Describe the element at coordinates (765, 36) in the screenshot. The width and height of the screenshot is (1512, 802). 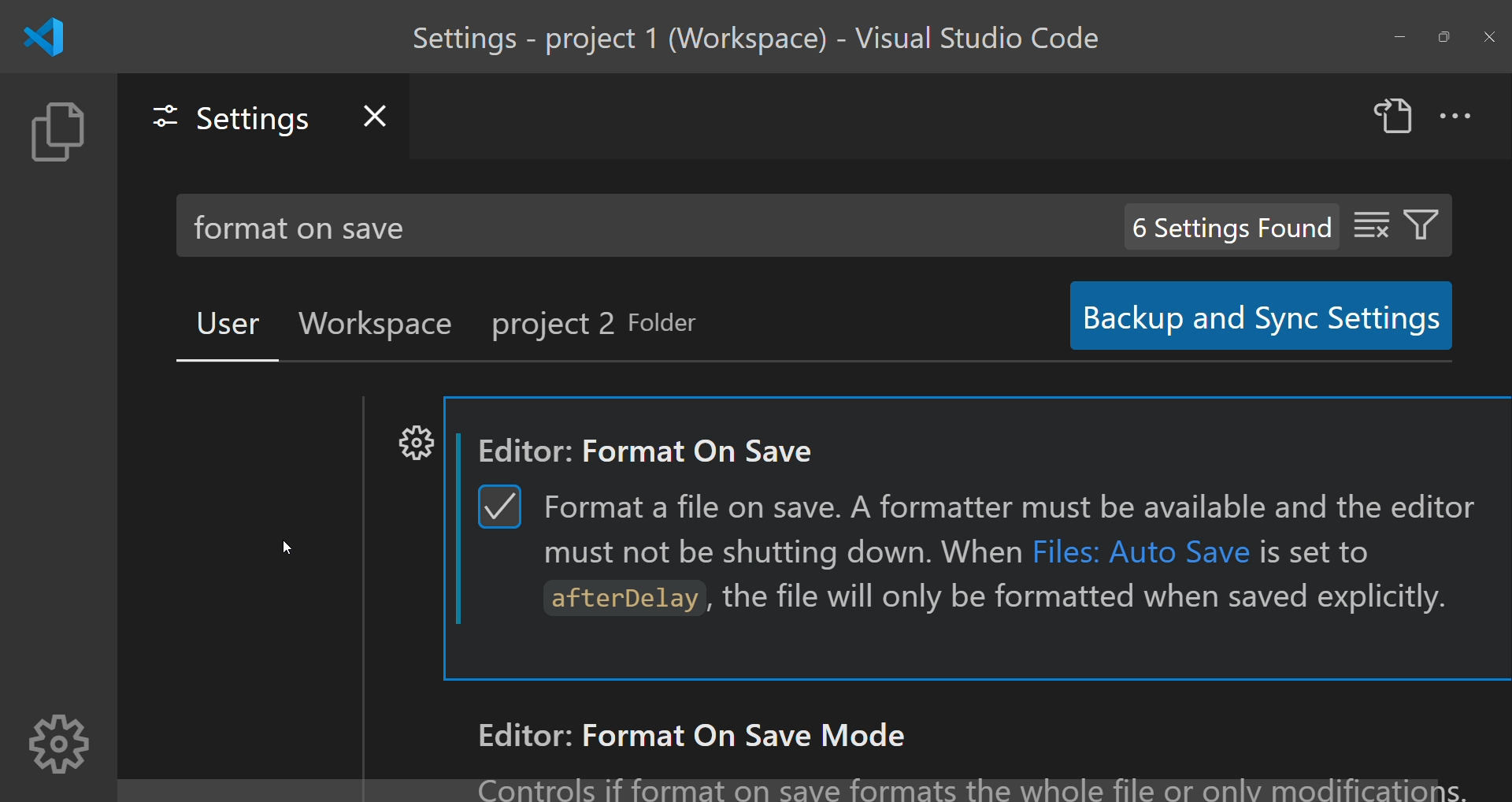
I see `title` at that location.